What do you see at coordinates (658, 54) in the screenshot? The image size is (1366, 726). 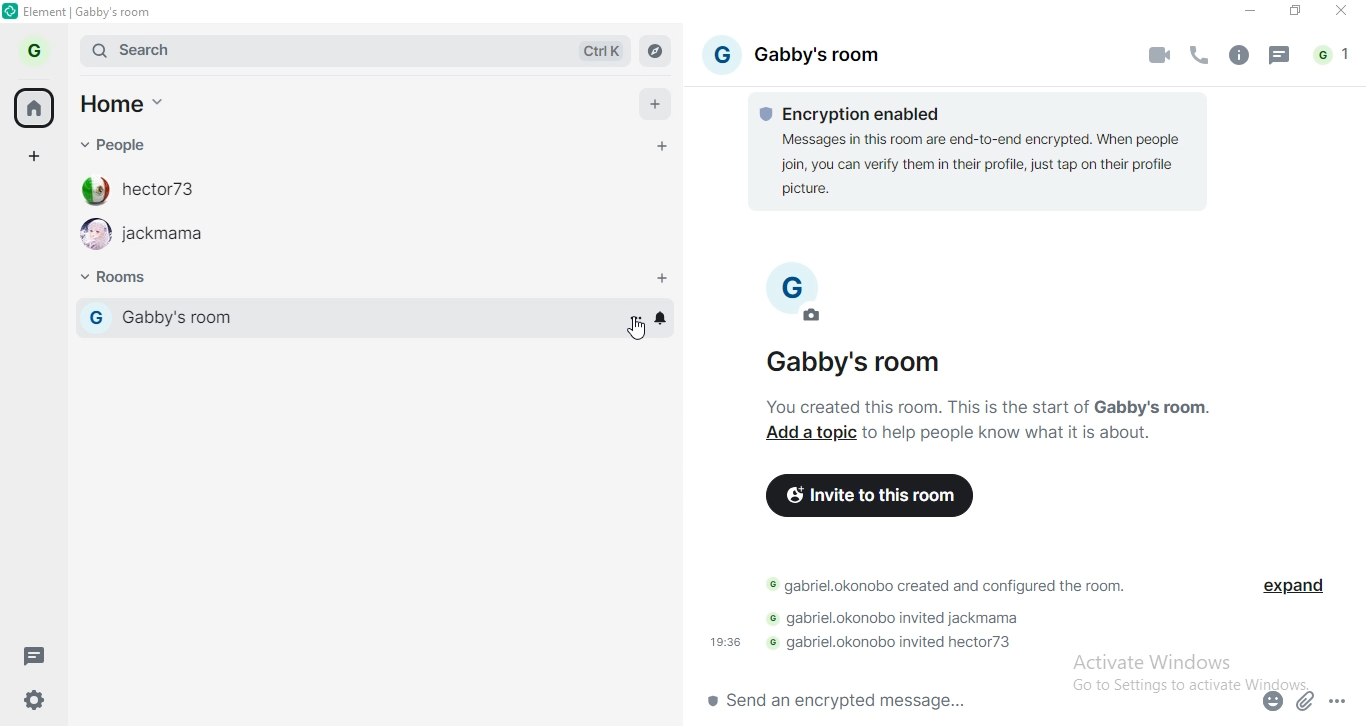 I see `navigate` at bounding box center [658, 54].